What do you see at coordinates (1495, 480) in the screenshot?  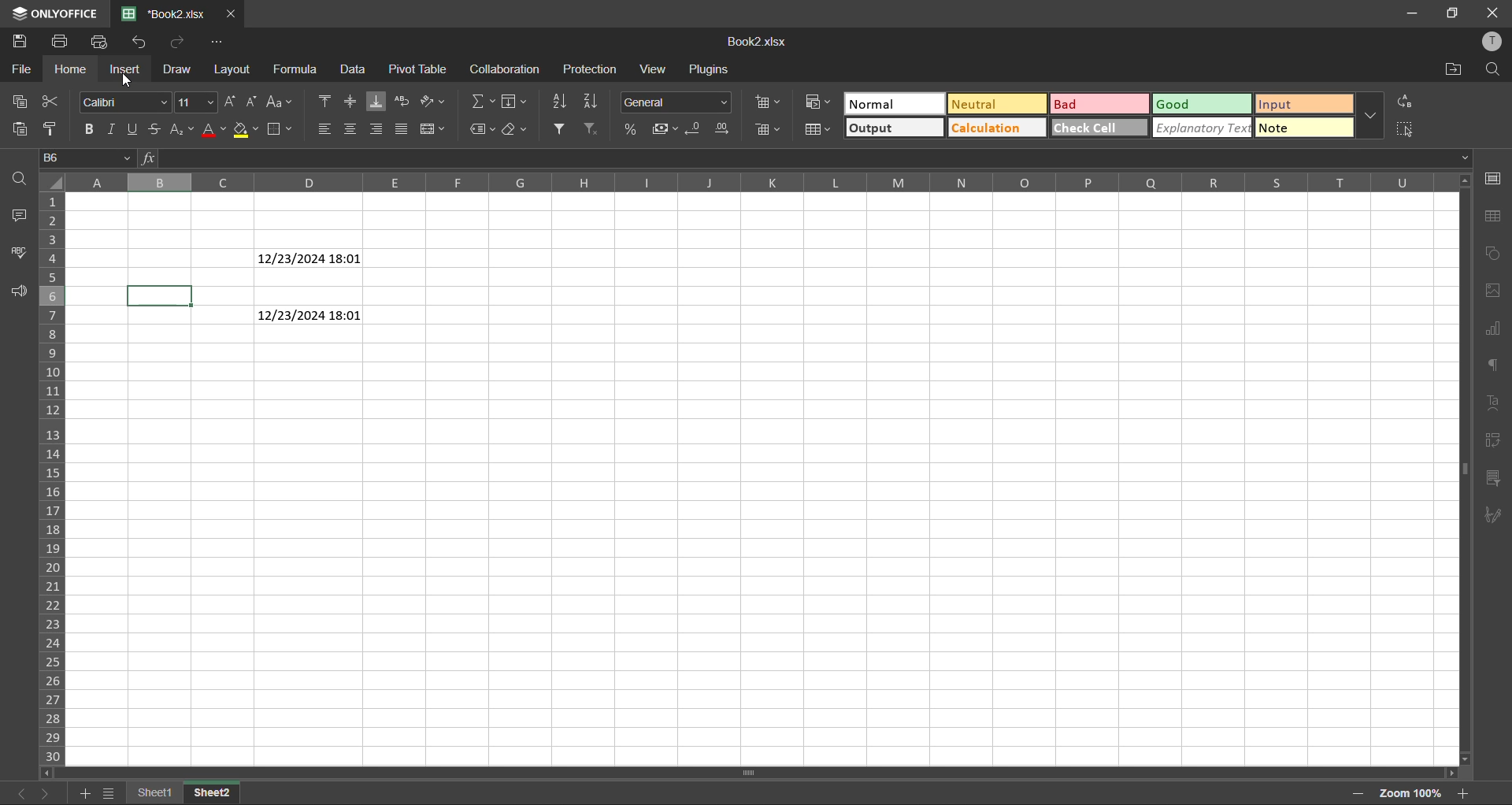 I see `slicer` at bounding box center [1495, 480].